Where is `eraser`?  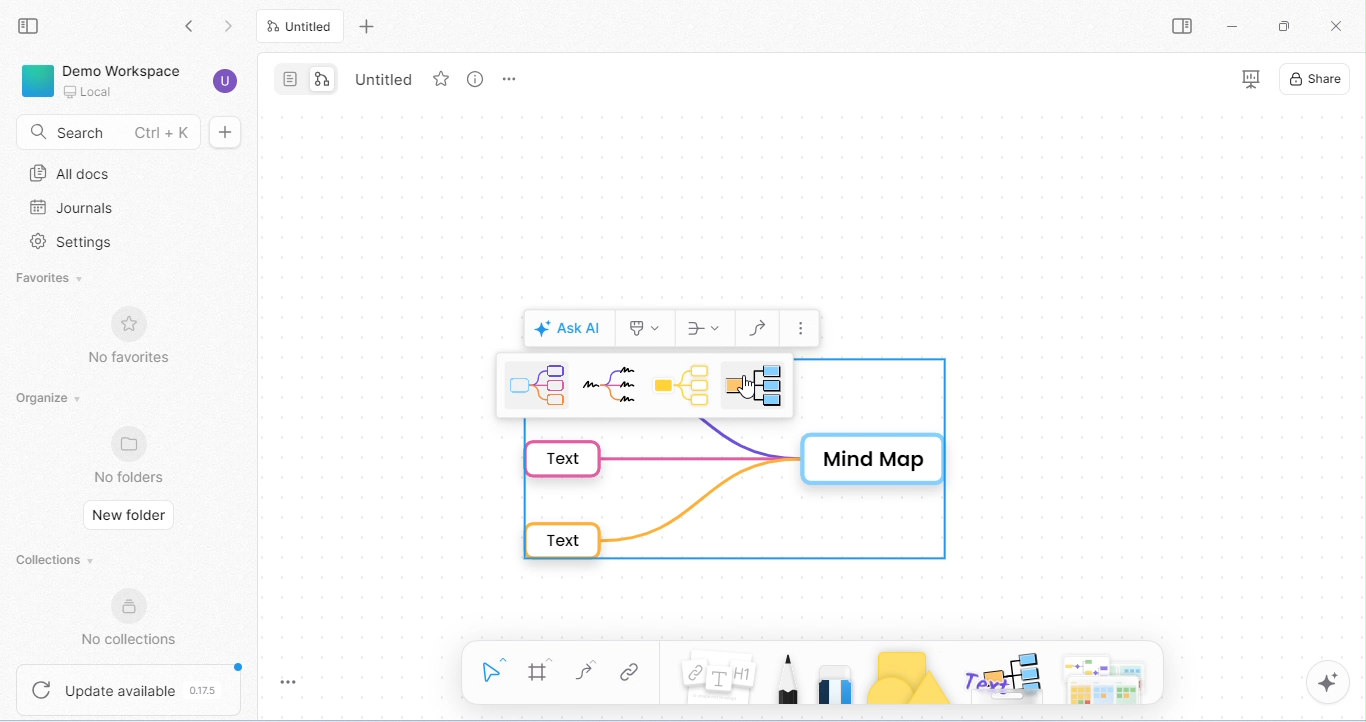
eraser is located at coordinates (836, 682).